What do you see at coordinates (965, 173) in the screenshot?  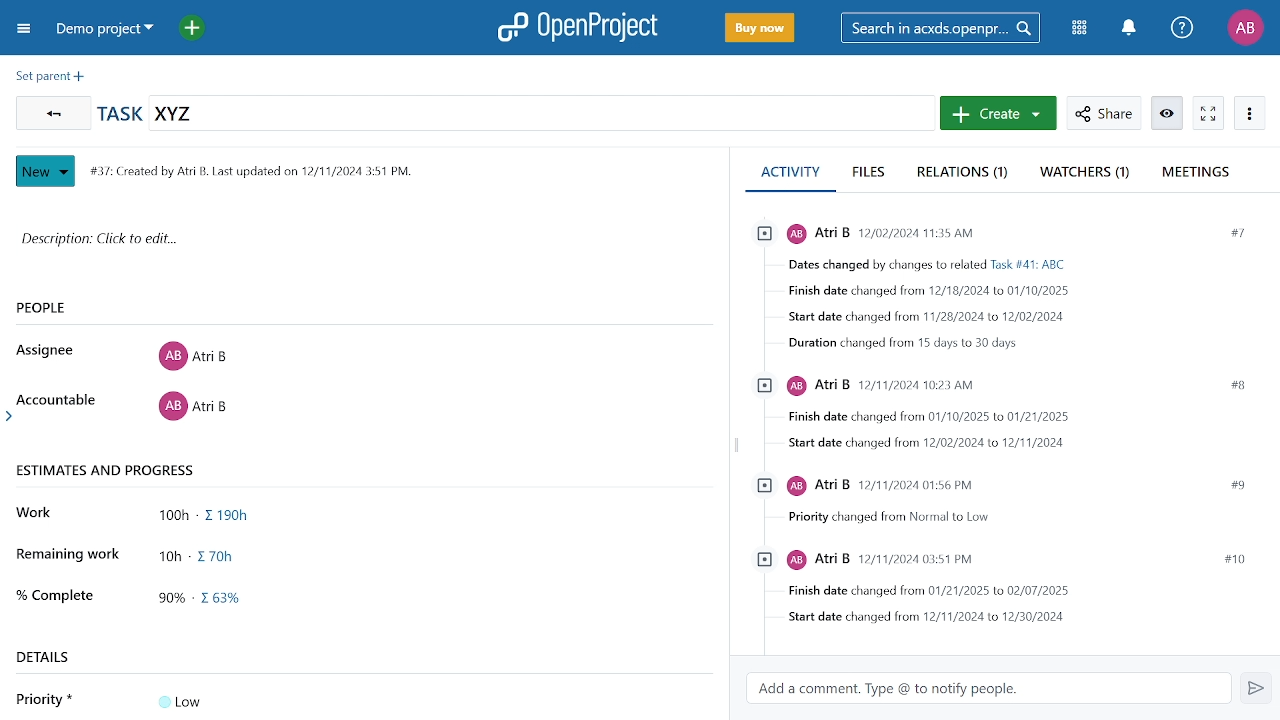 I see `Relations` at bounding box center [965, 173].